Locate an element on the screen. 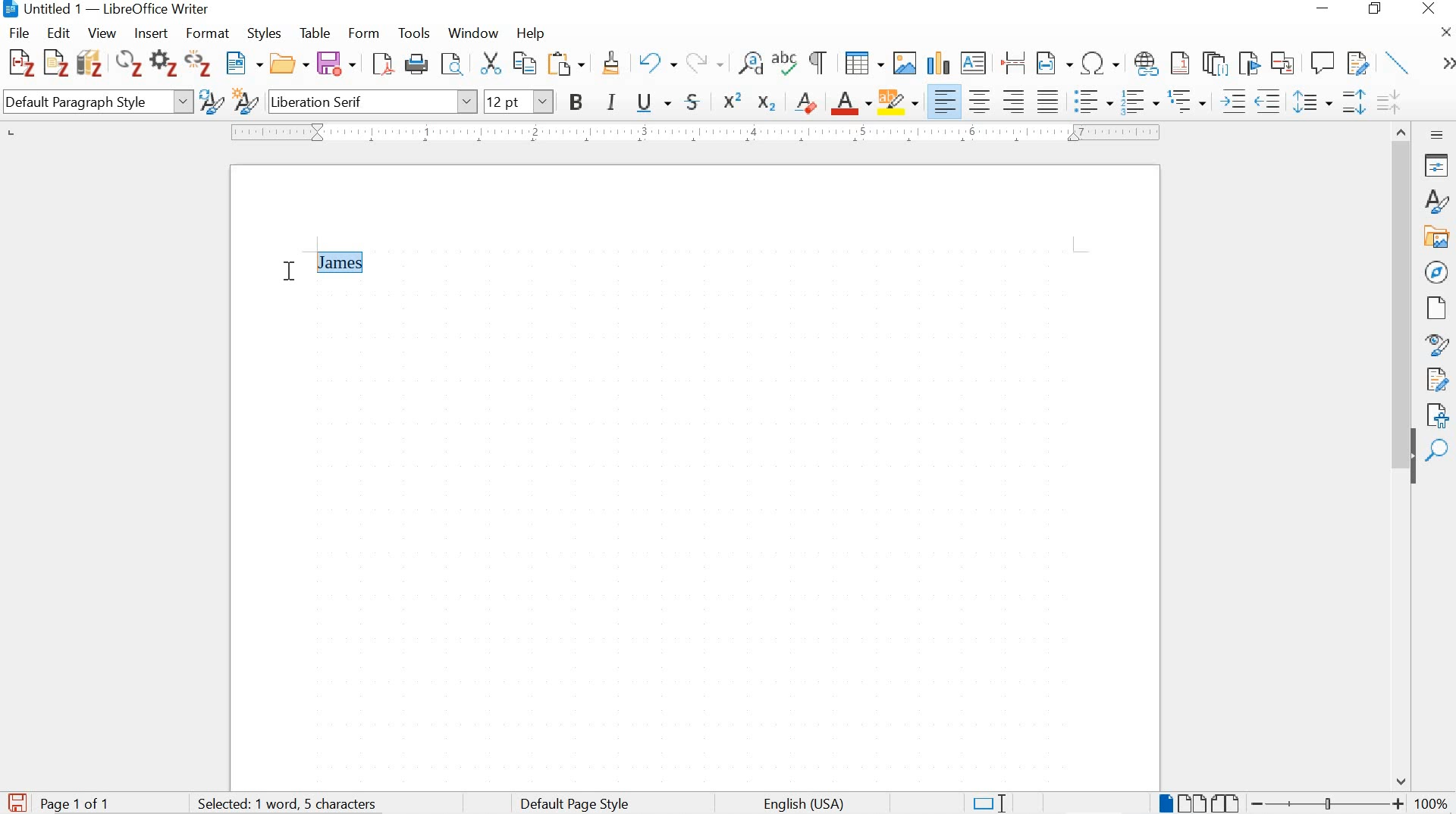 This screenshot has height=814, width=1456. insert chart is located at coordinates (937, 64).